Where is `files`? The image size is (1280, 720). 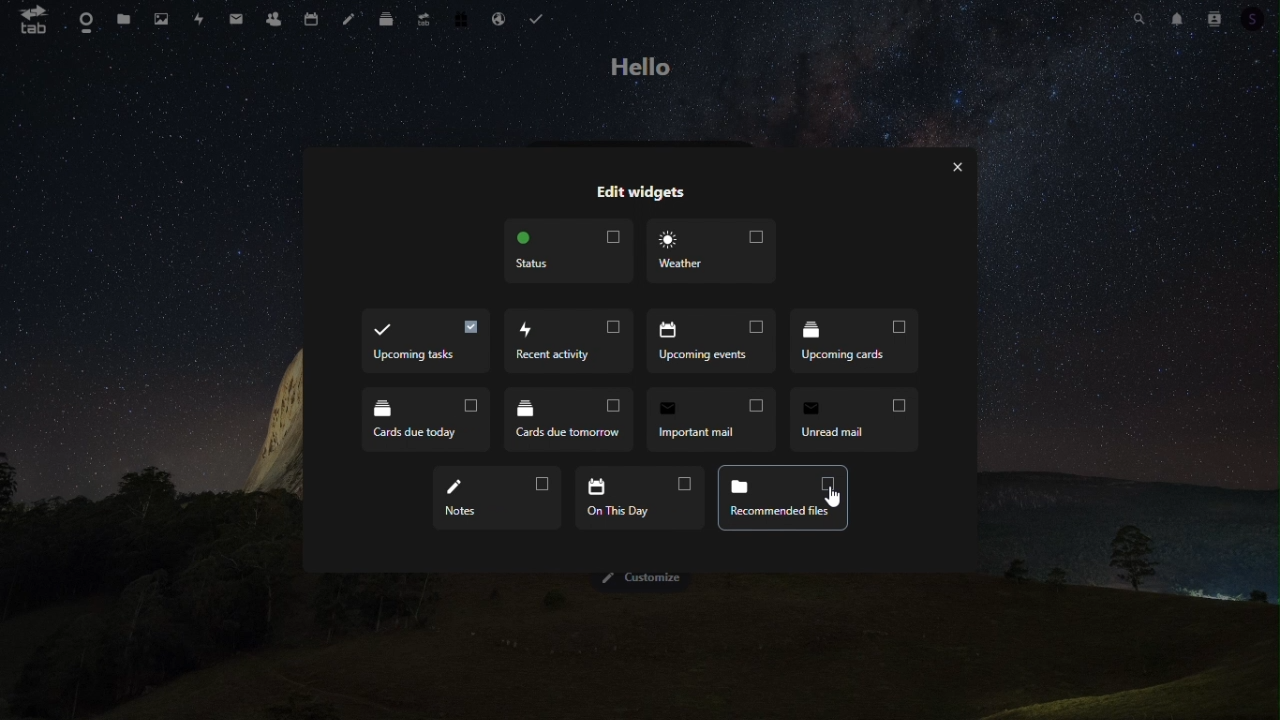 files is located at coordinates (123, 19).